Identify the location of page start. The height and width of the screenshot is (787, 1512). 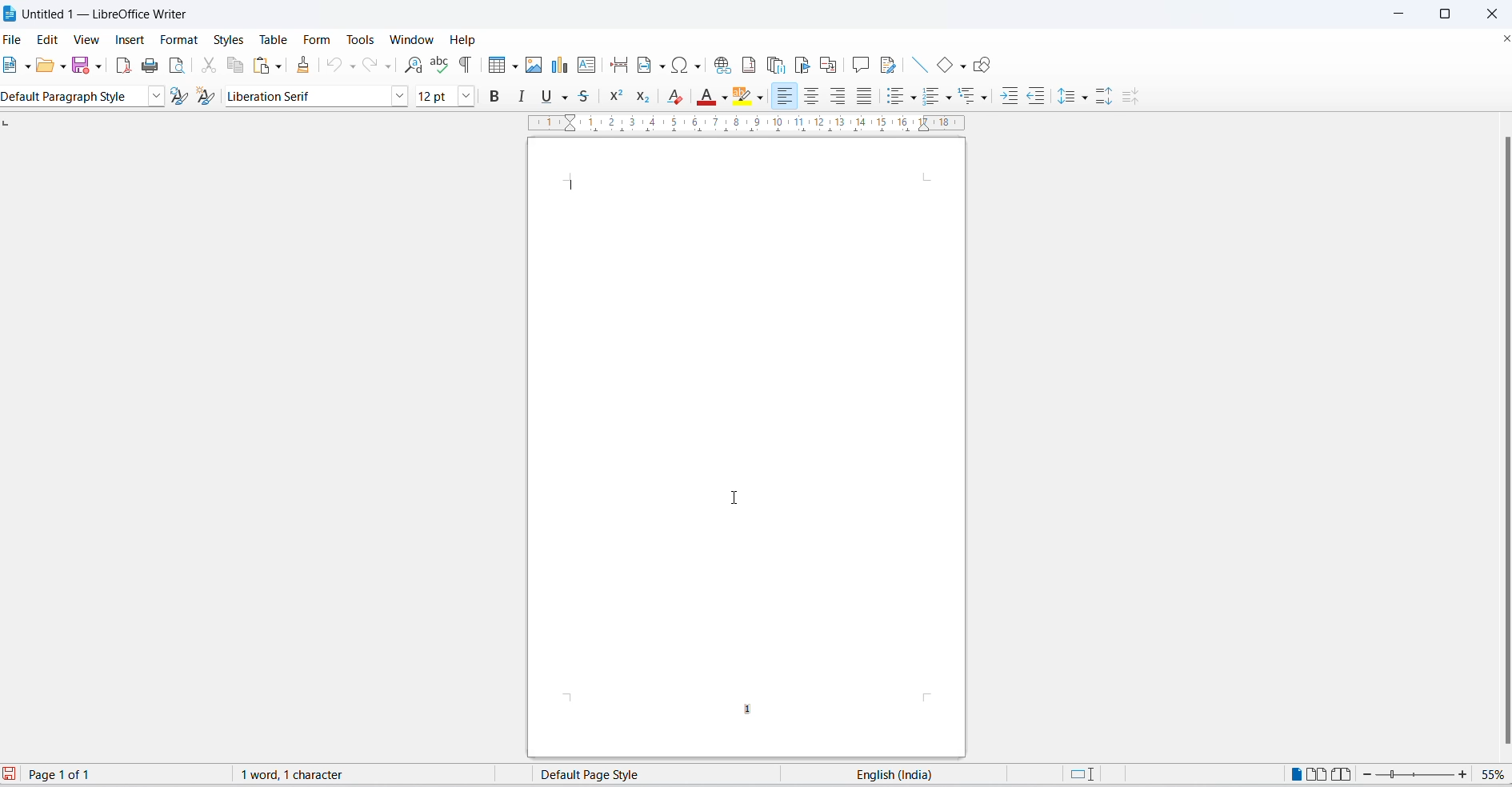
(572, 185).